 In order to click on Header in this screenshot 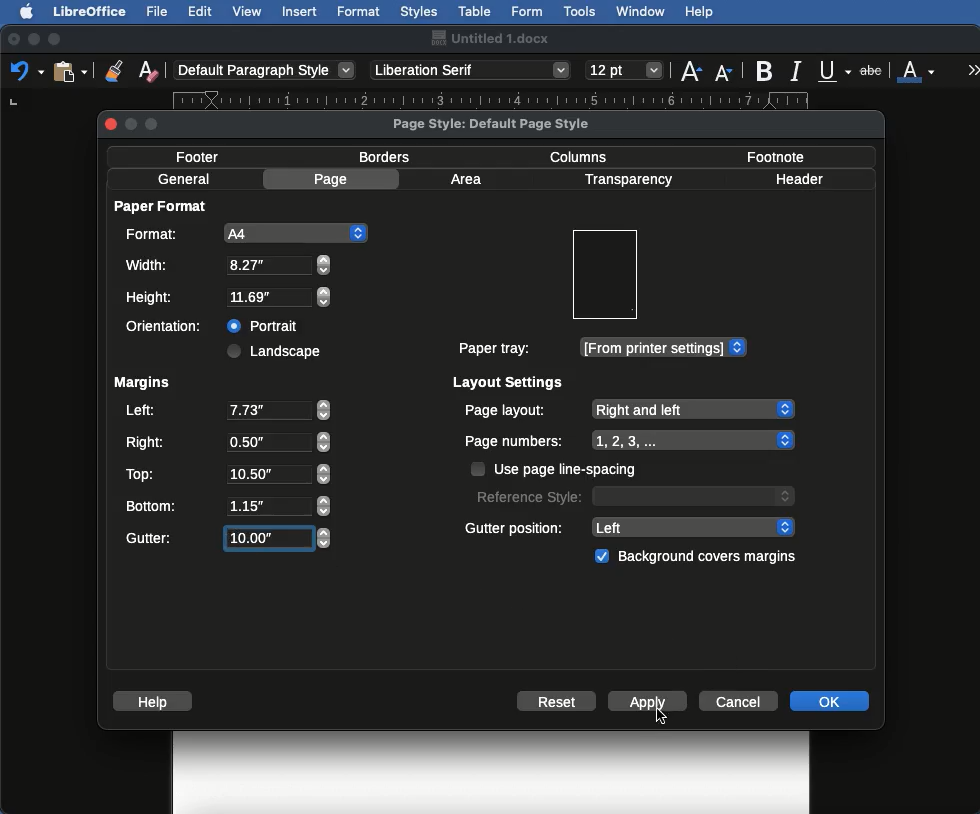, I will do `click(799, 179)`.